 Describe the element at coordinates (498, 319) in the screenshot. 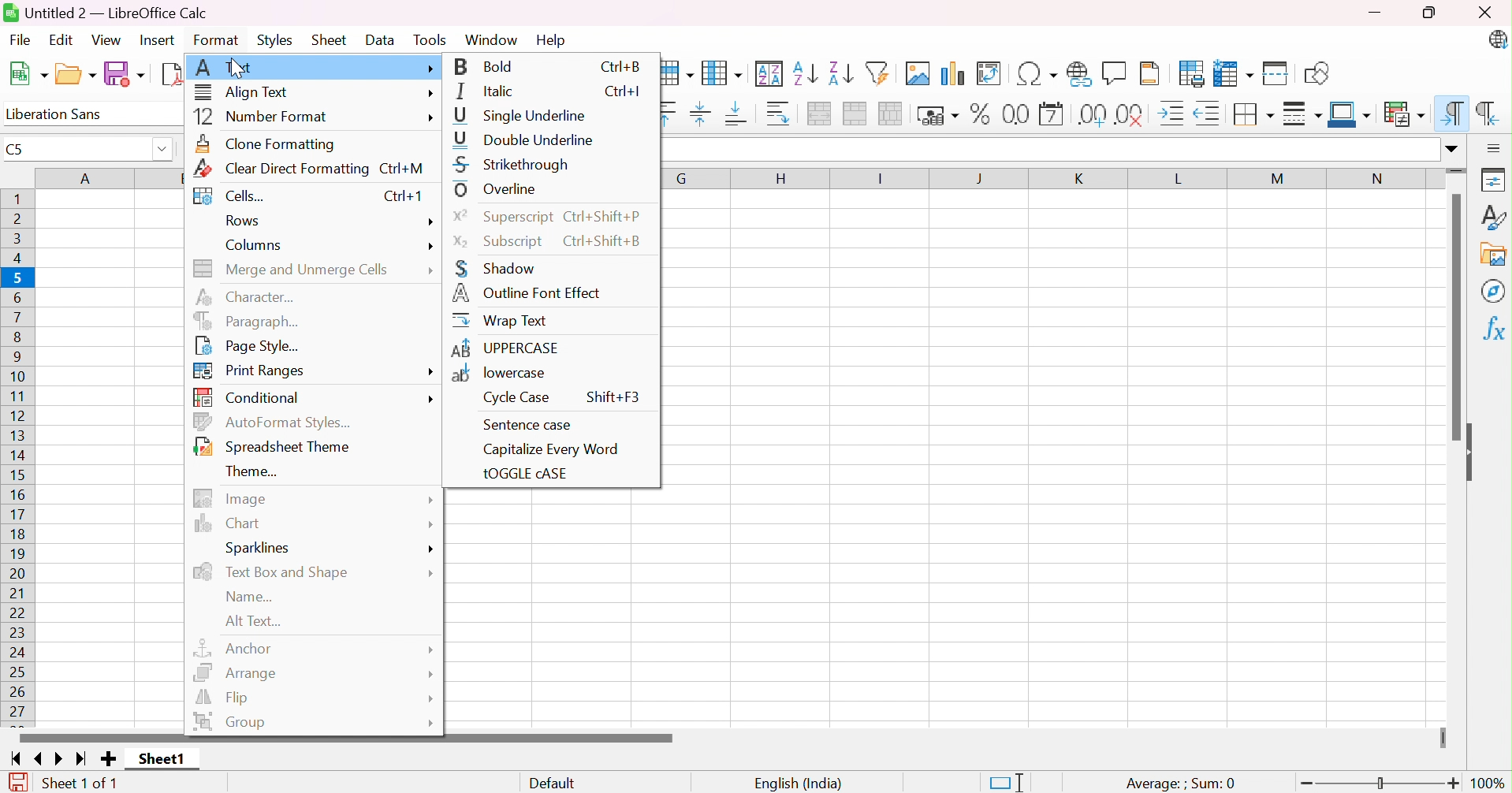

I see `Wrap Text` at that location.